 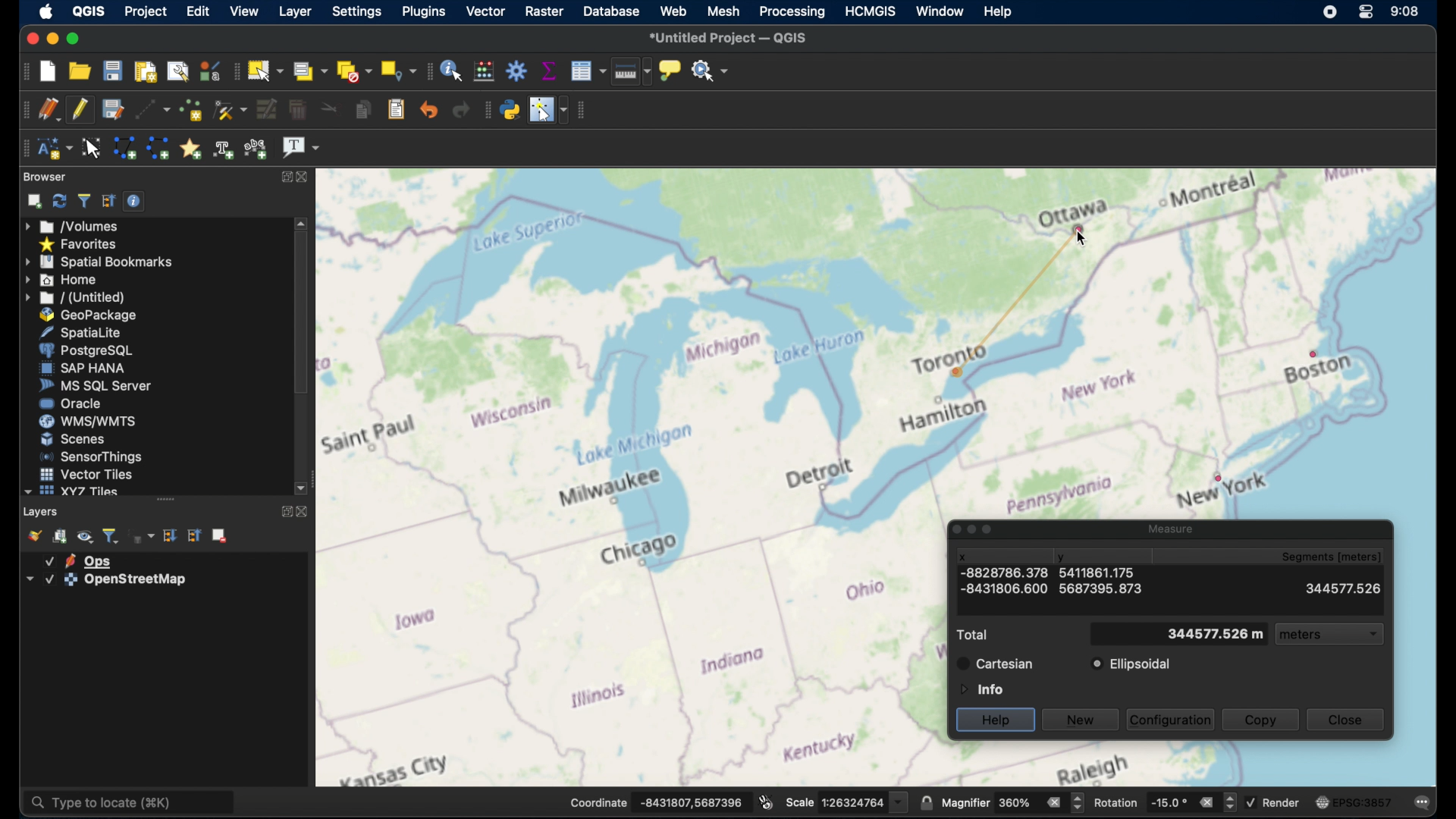 I want to click on sap hana, so click(x=83, y=369).